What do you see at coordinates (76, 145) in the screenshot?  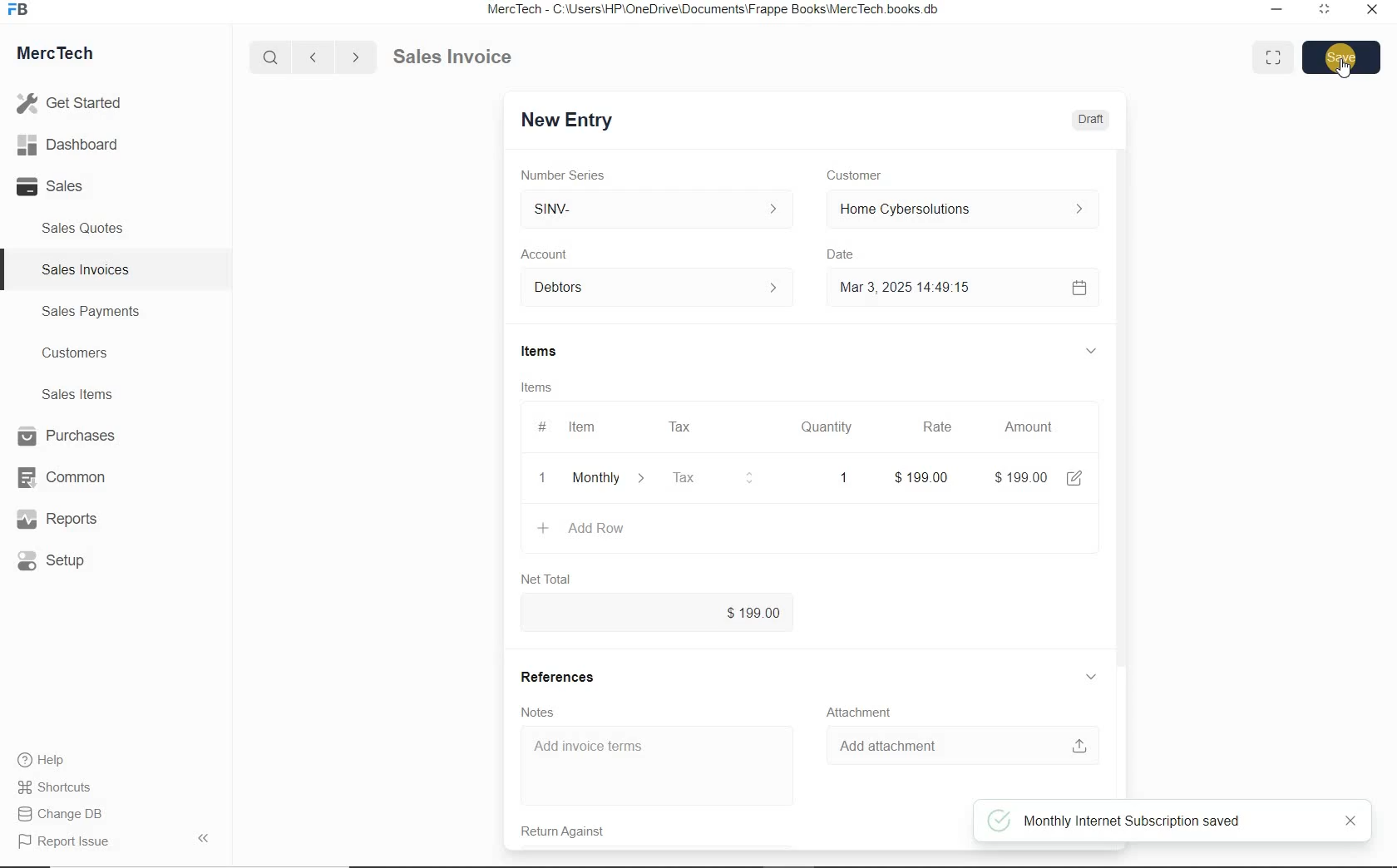 I see `Dashboard` at bounding box center [76, 145].